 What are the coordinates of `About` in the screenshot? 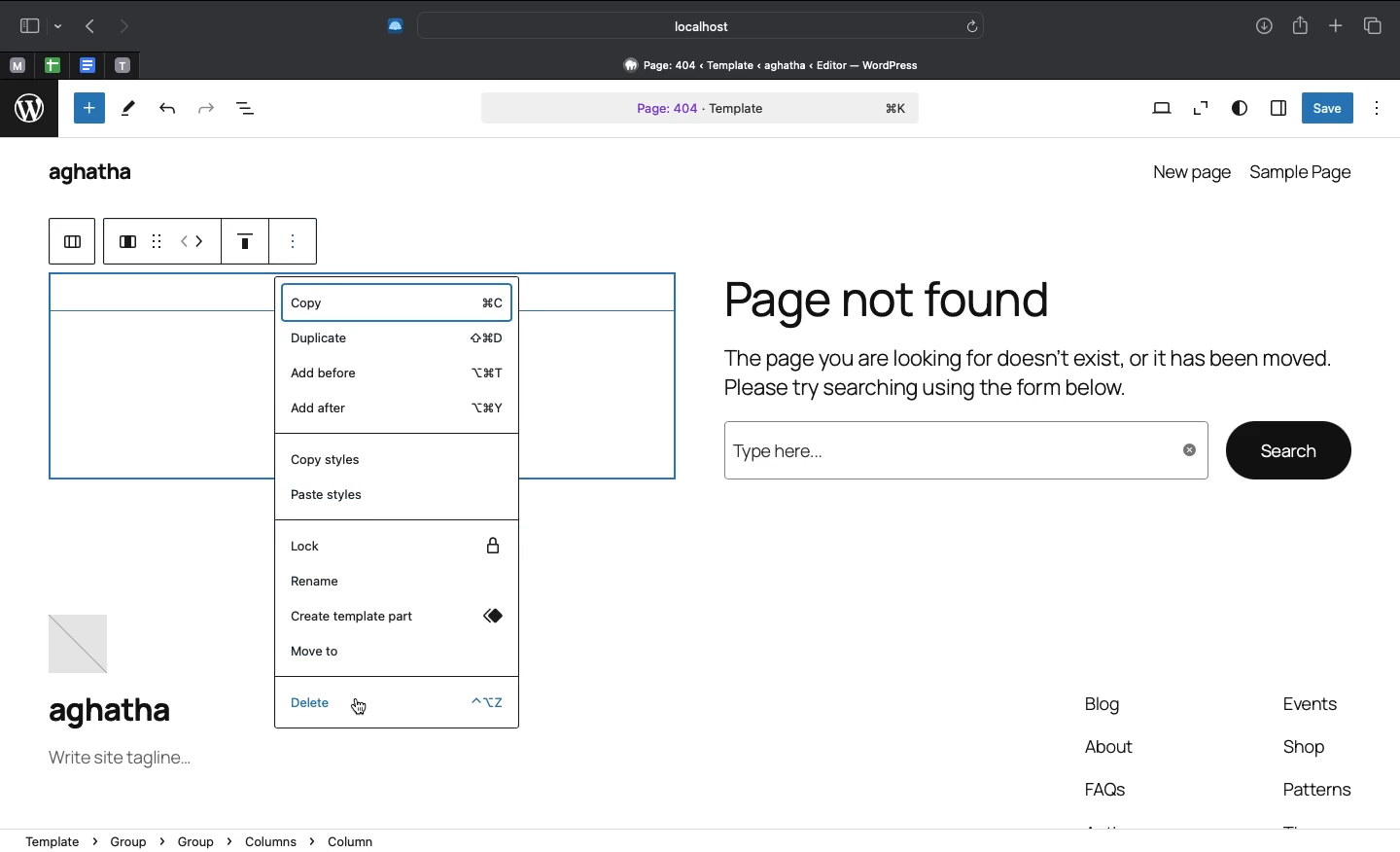 It's located at (1110, 749).